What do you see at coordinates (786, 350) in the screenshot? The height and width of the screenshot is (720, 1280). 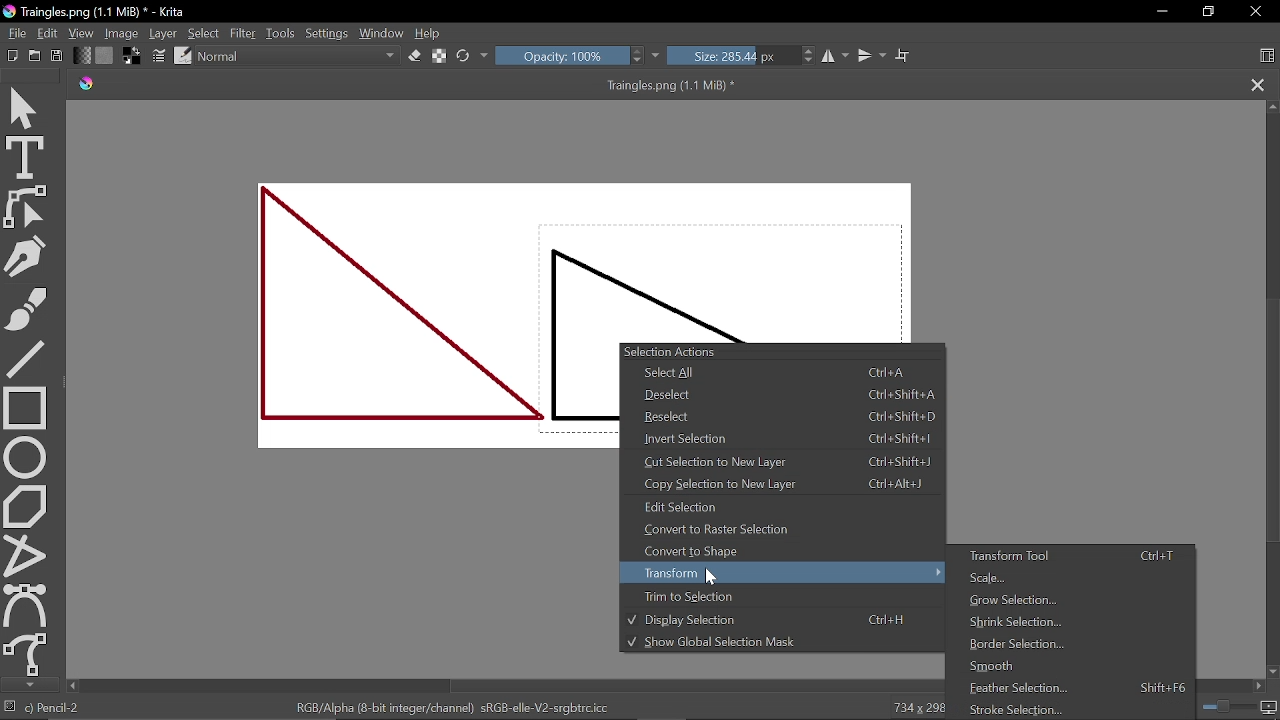 I see `Selection Actions` at bounding box center [786, 350].